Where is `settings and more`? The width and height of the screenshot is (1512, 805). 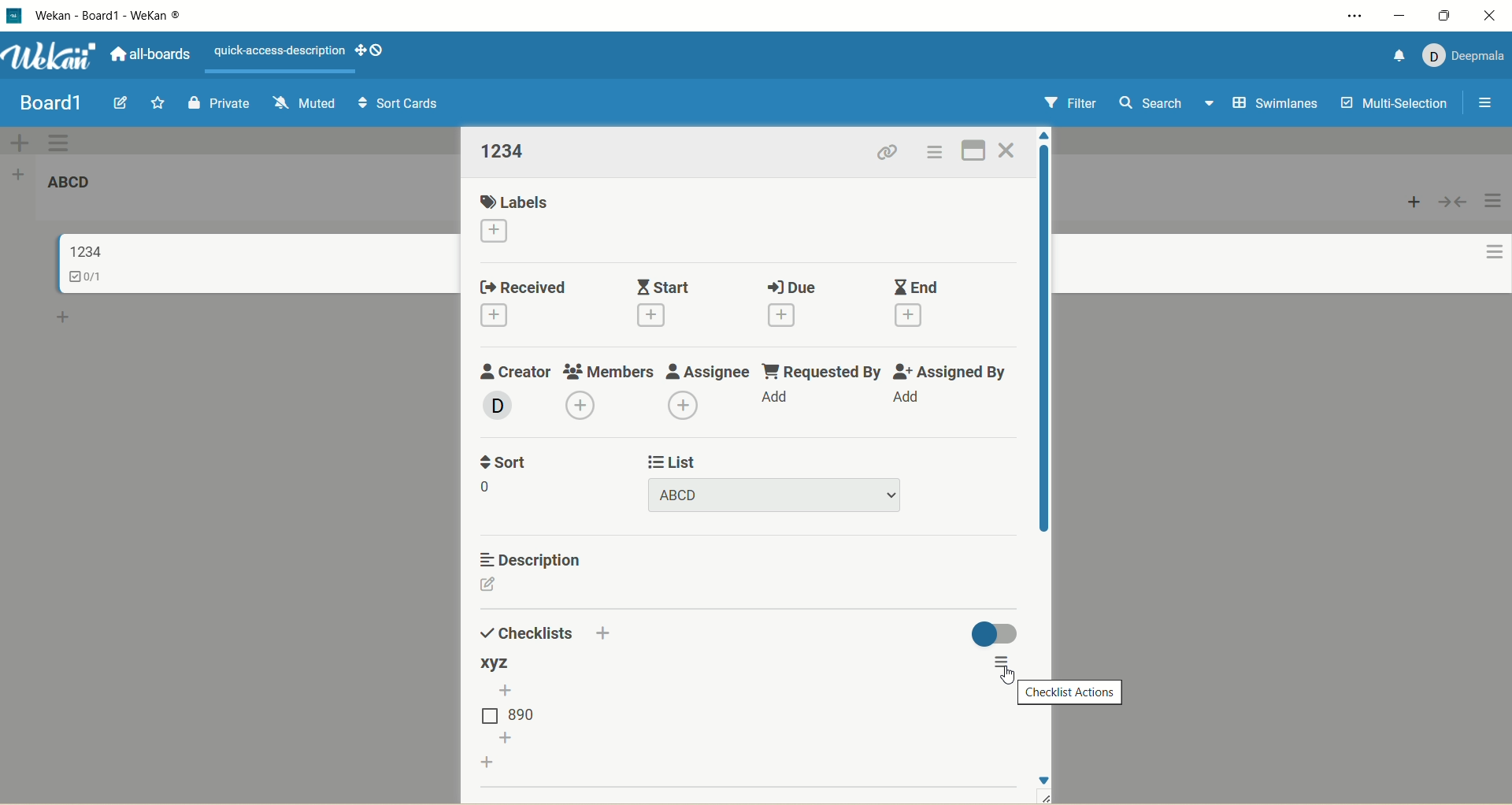 settings and more is located at coordinates (1358, 16).